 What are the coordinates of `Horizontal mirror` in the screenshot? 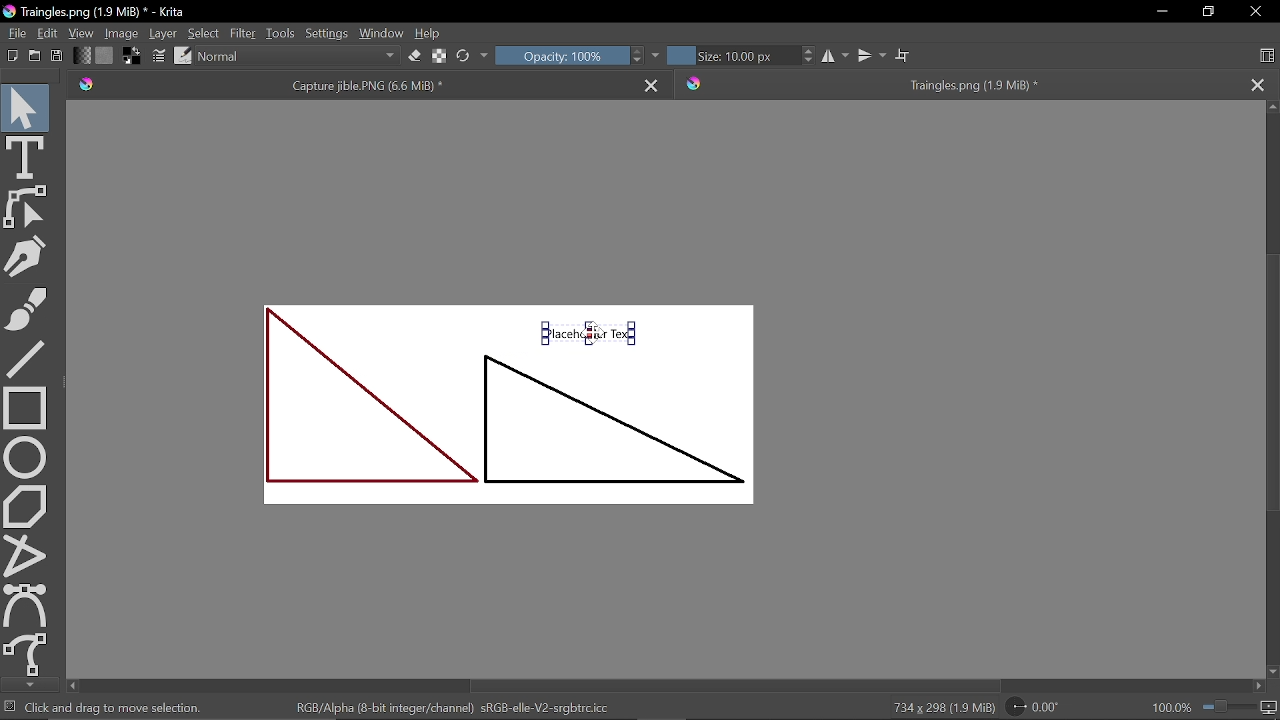 It's located at (836, 57).